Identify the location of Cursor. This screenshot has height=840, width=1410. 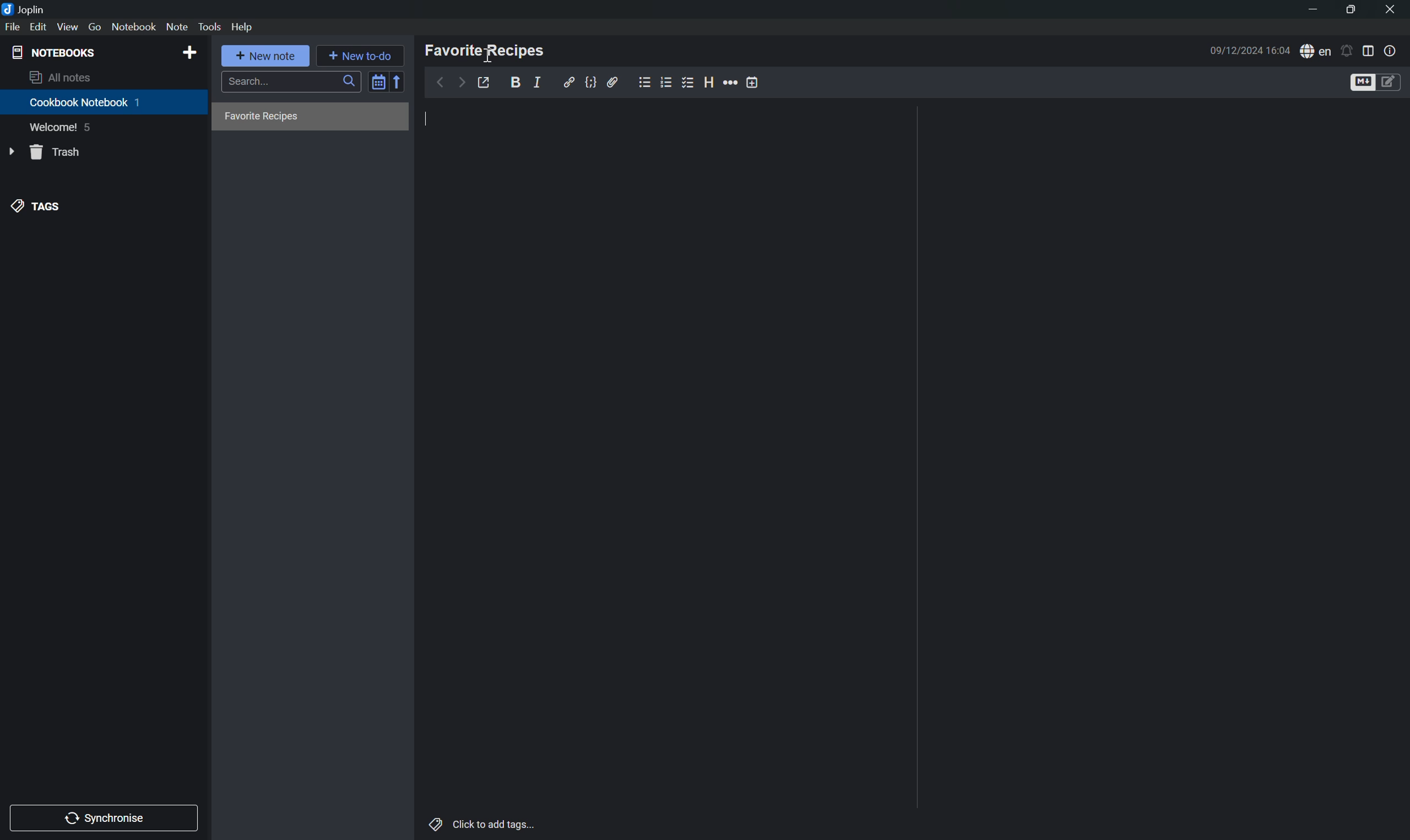
(488, 52).